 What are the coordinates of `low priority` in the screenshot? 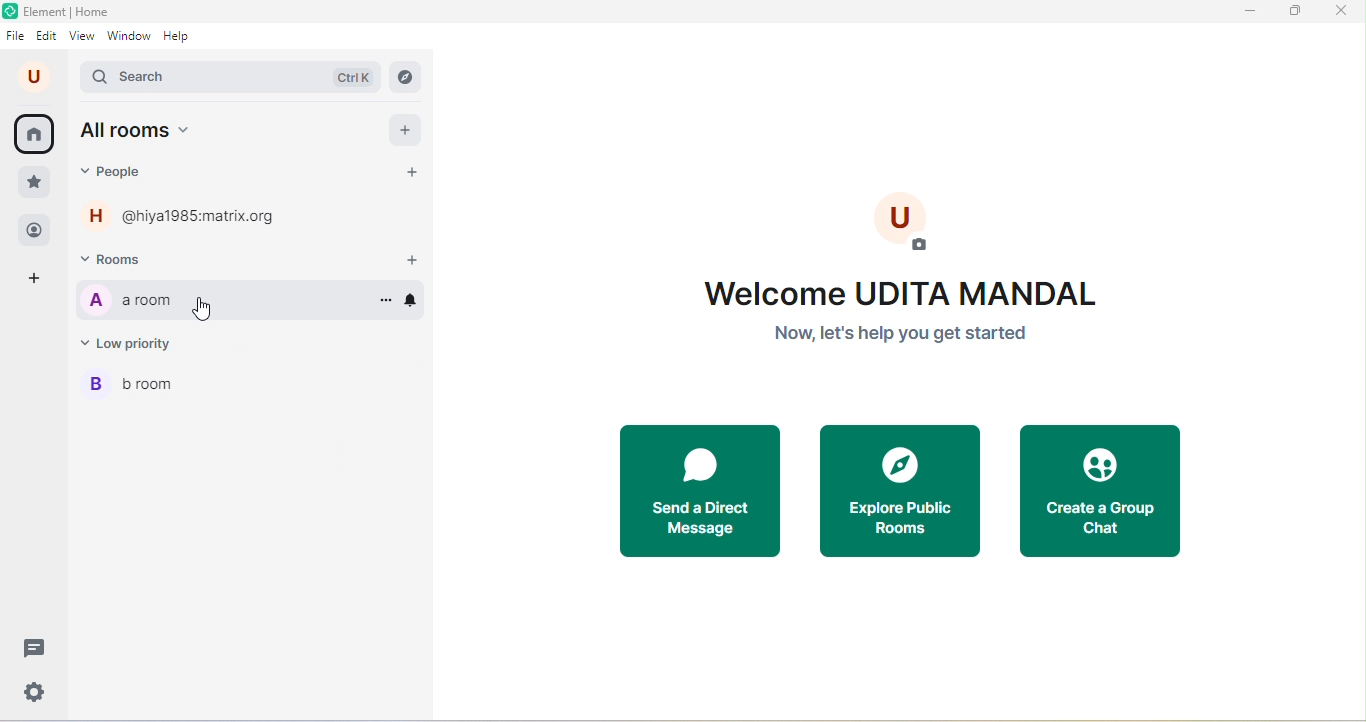 It's located at (137, 343).